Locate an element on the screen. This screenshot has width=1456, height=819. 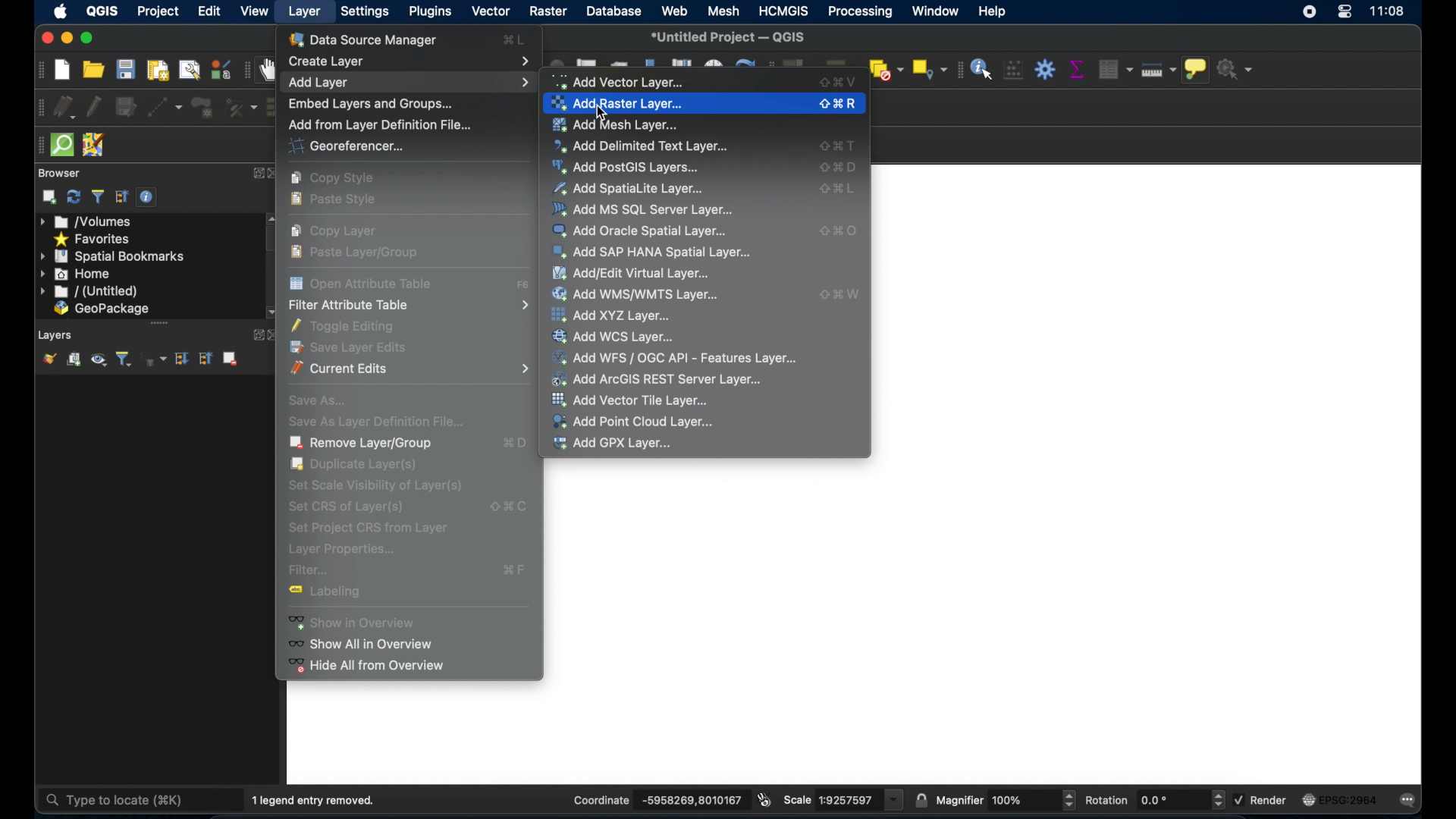
save project is located at coordinates (126, 70).